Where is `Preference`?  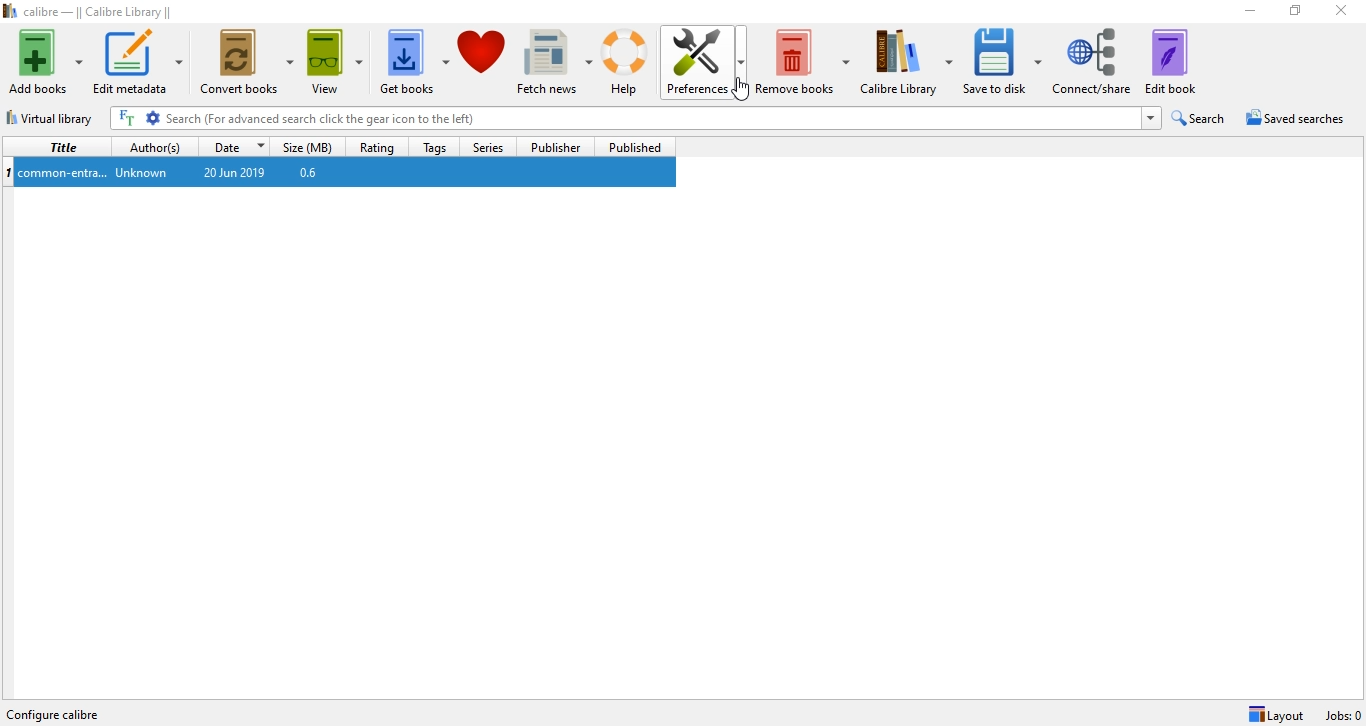 Preference is located at coordinates (709, 55).